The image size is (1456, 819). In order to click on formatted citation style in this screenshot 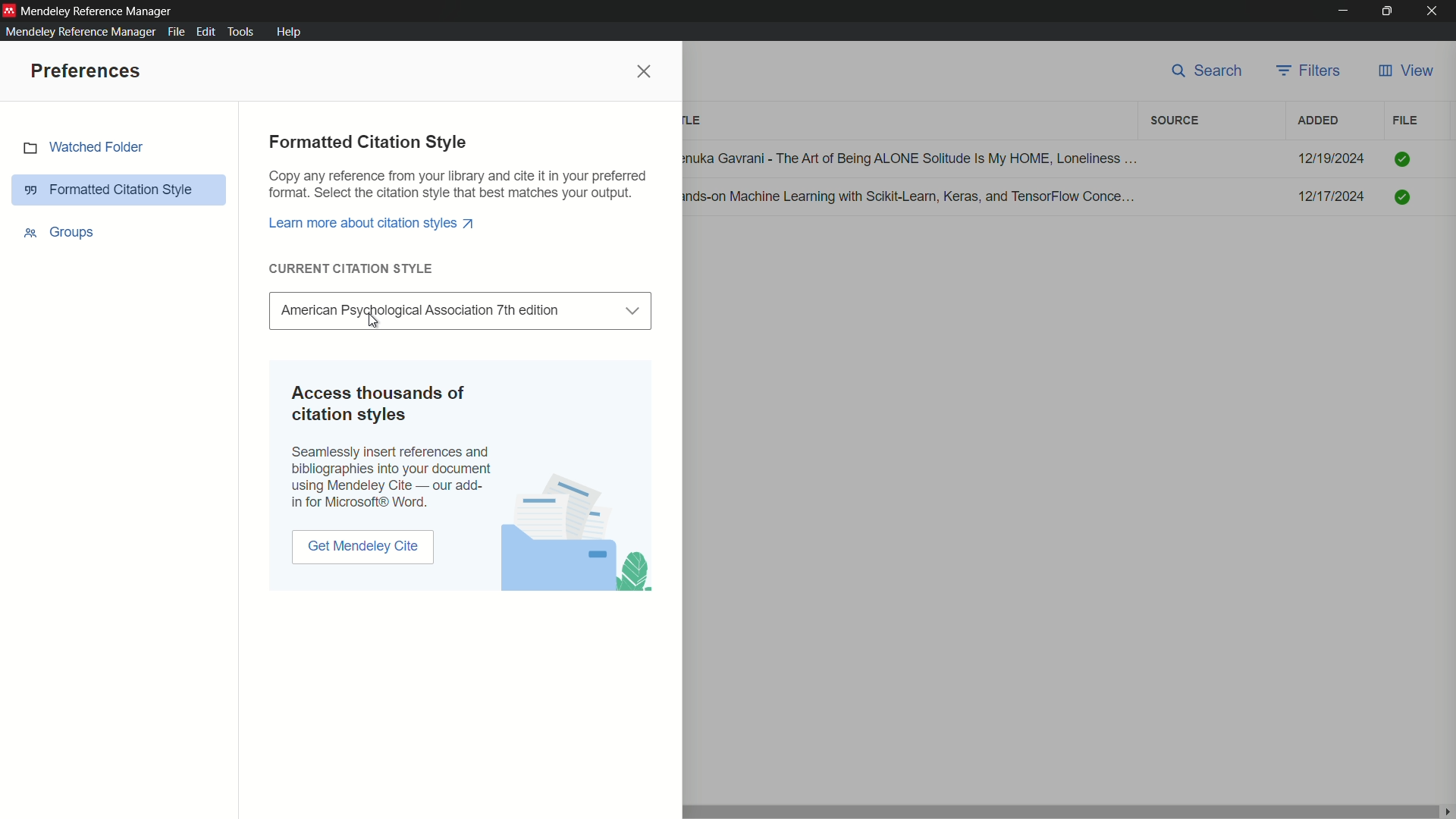, I will do `click(368, 143)`.